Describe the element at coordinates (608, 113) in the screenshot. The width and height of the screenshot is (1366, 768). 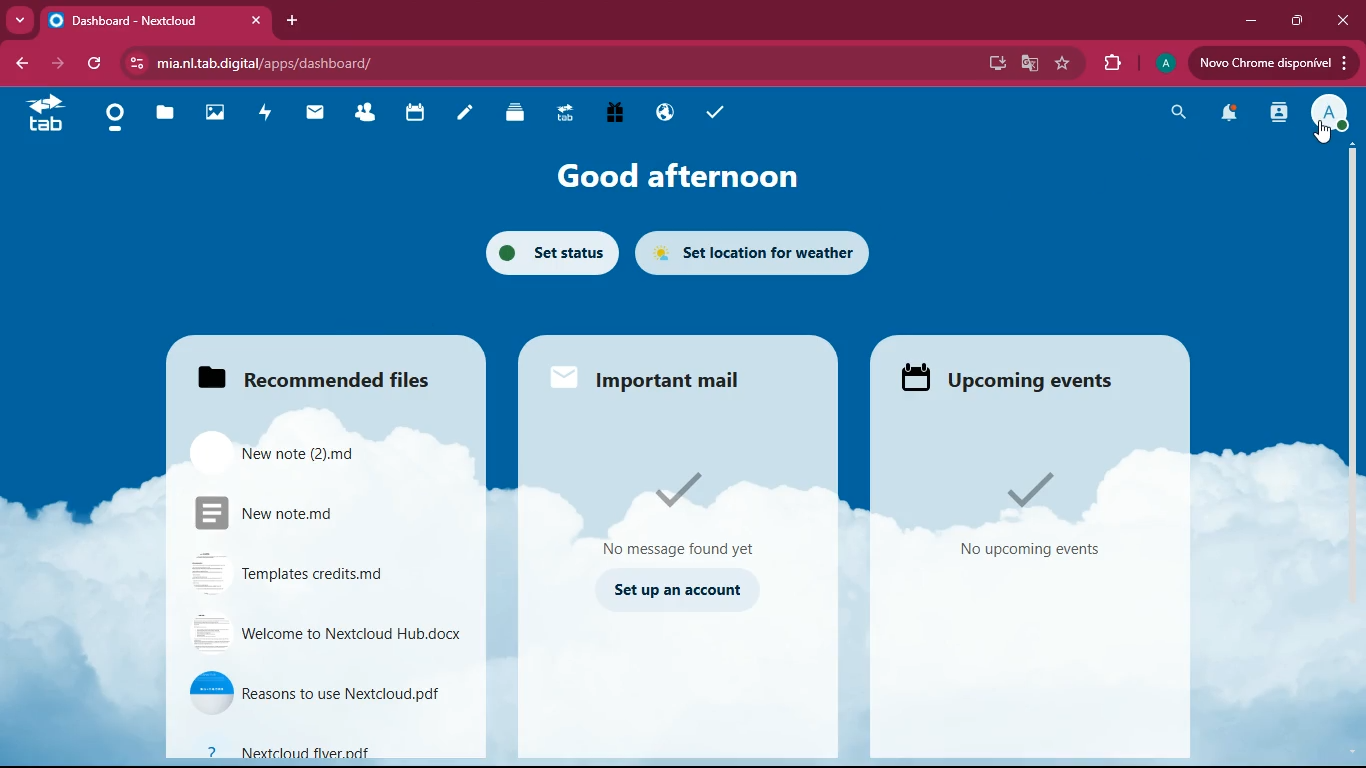
I see `gift` at that location.